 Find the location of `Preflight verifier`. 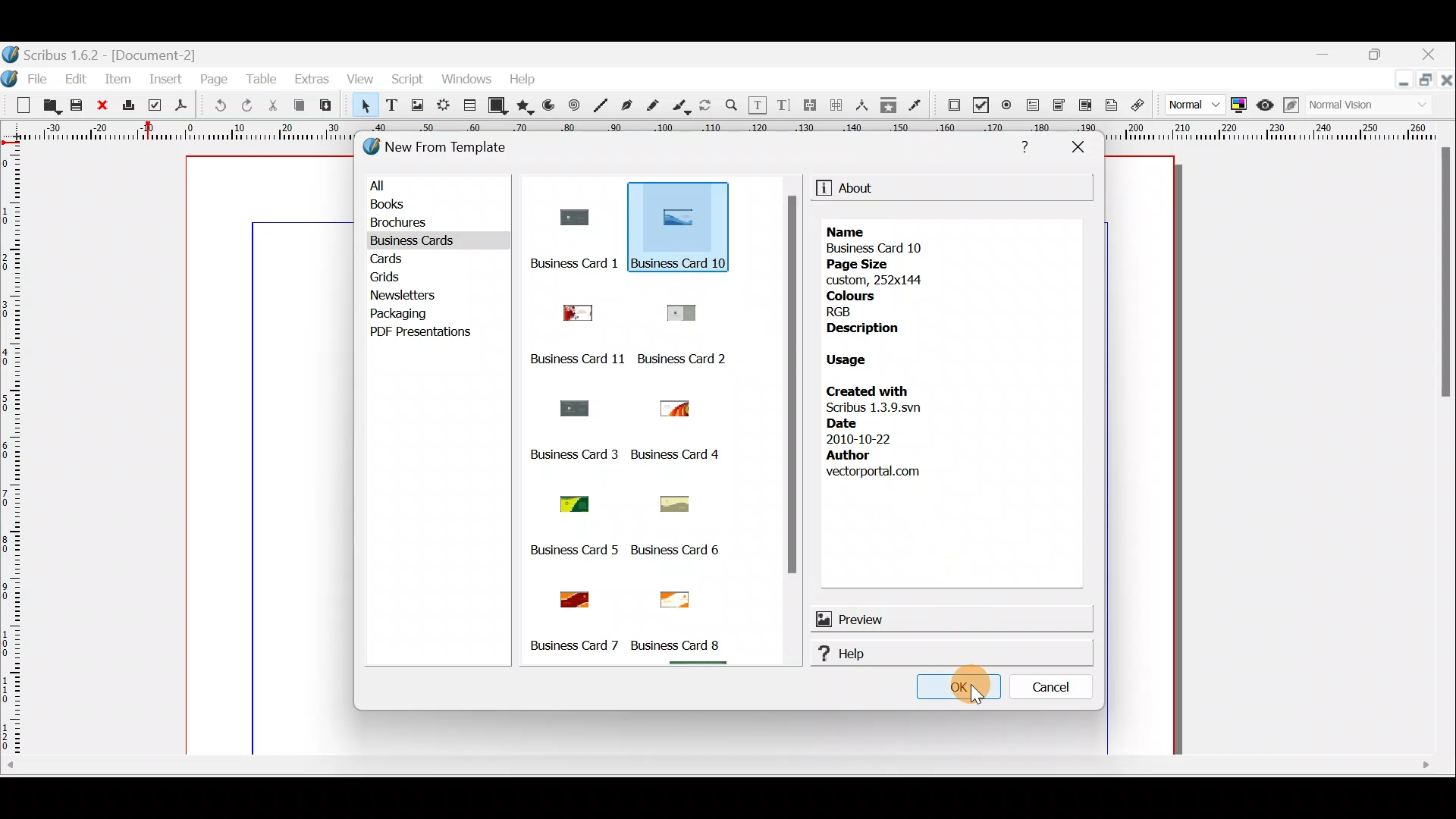

Preflight verifier is located at coordinates (152, 105).